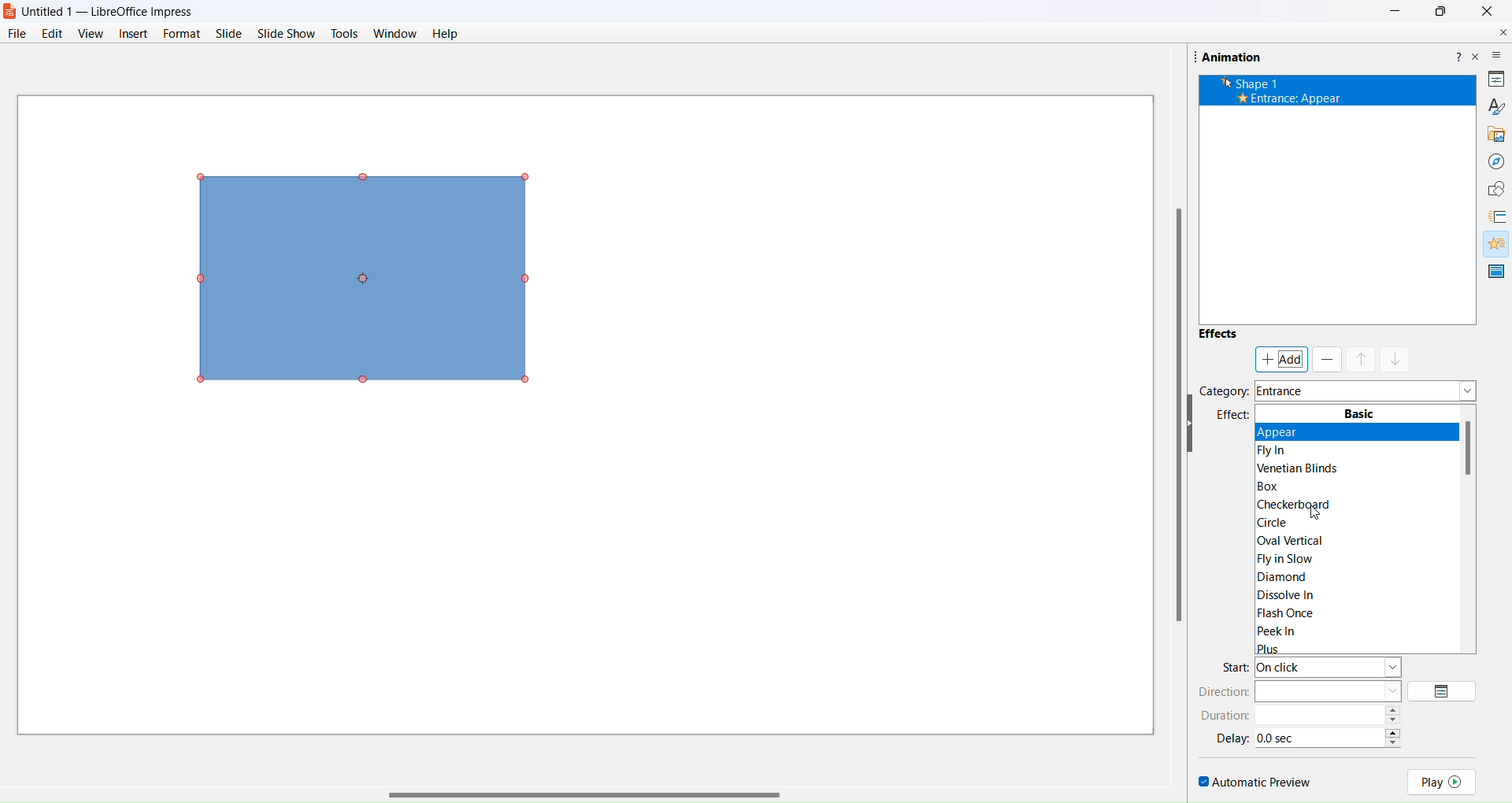 This screenshot has width=1512, height=803. I want to click on Appear, so click(1324, 432).